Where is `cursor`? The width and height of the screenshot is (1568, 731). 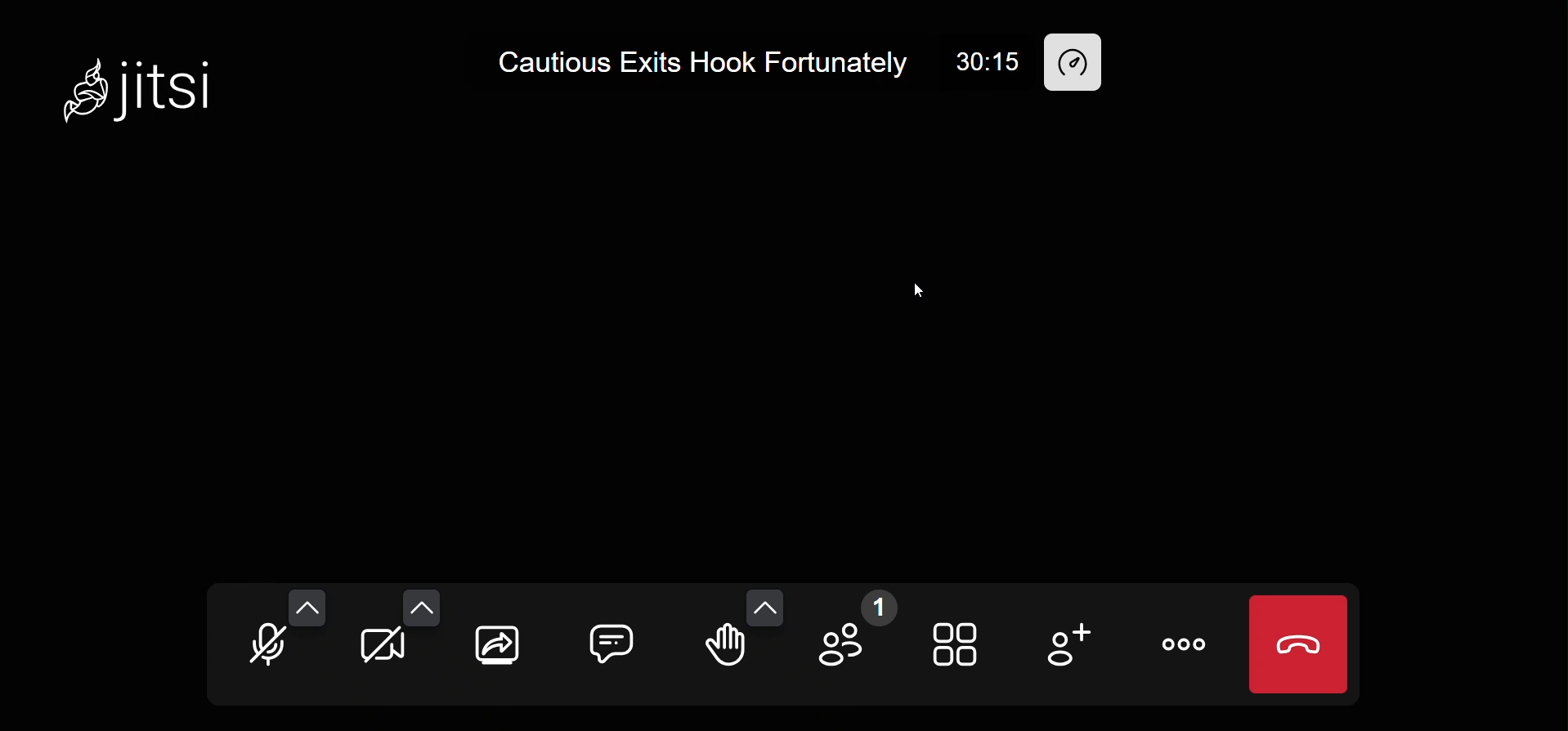 cursor is located at coordinates (912, 288).